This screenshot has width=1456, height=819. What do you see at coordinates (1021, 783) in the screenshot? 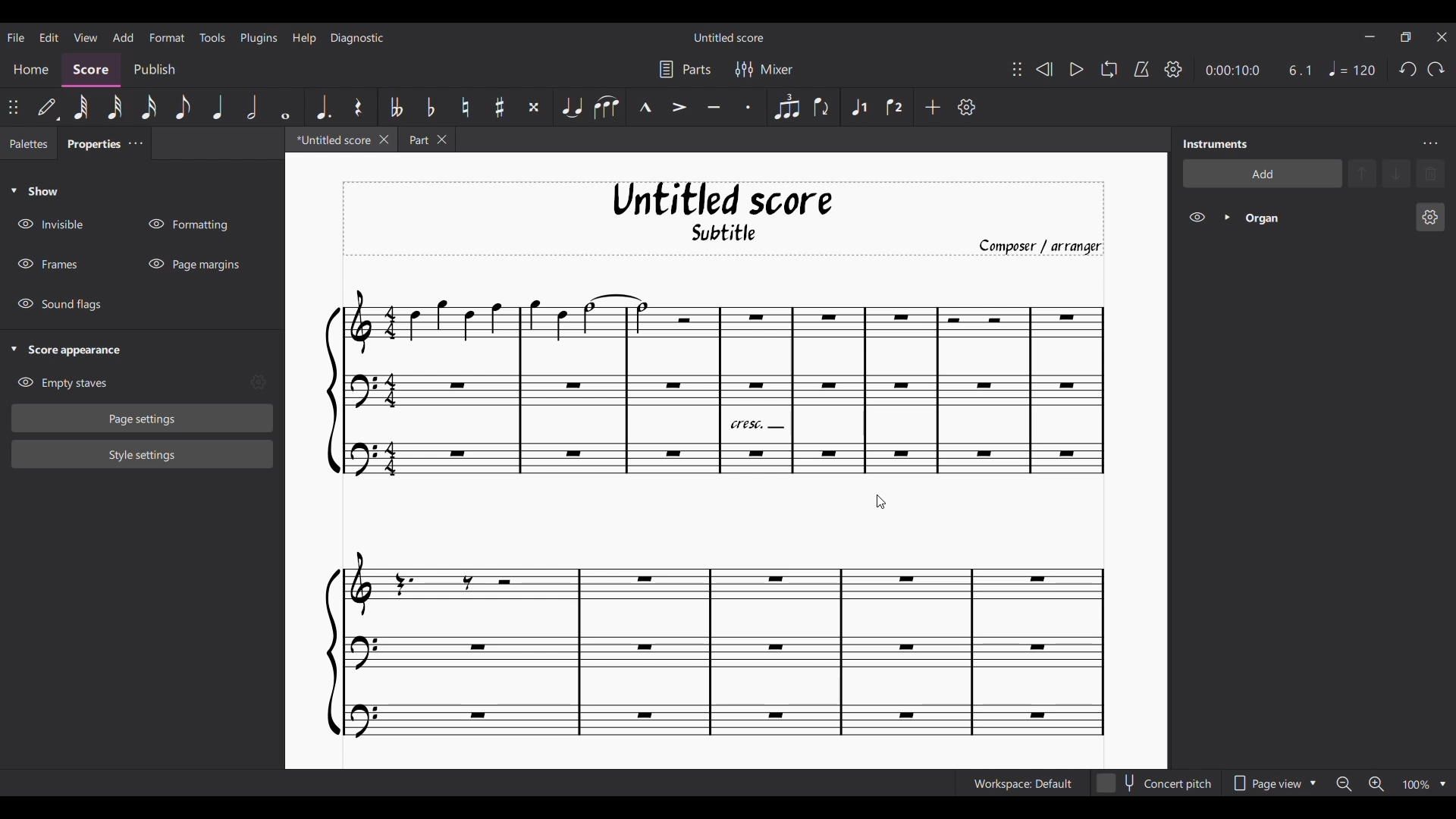
I see `Workspace settings` at bounding box center [1021, 783].